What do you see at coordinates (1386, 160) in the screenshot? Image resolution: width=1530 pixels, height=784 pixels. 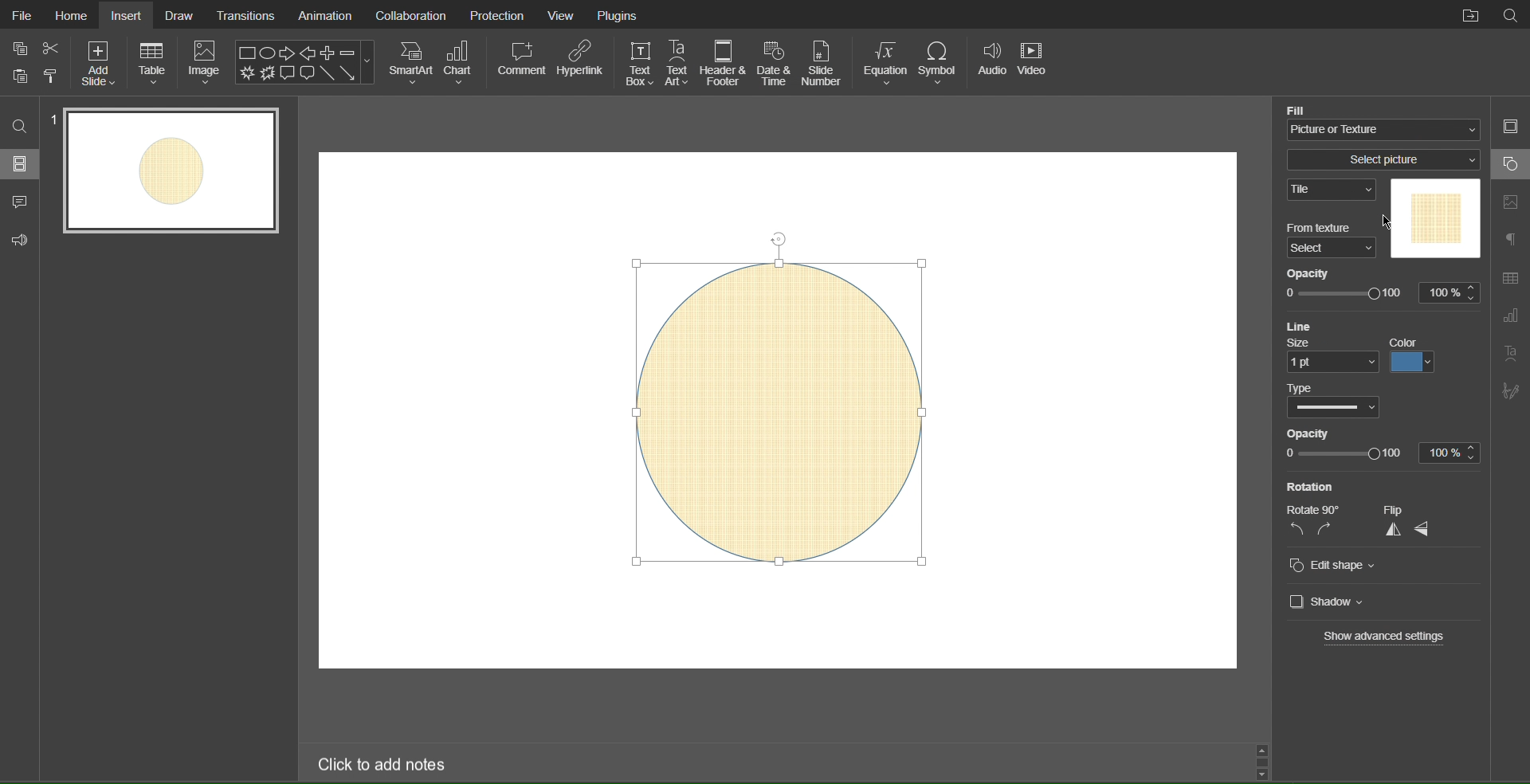 I see `Select Picture` at bounding box center [1386, 160].